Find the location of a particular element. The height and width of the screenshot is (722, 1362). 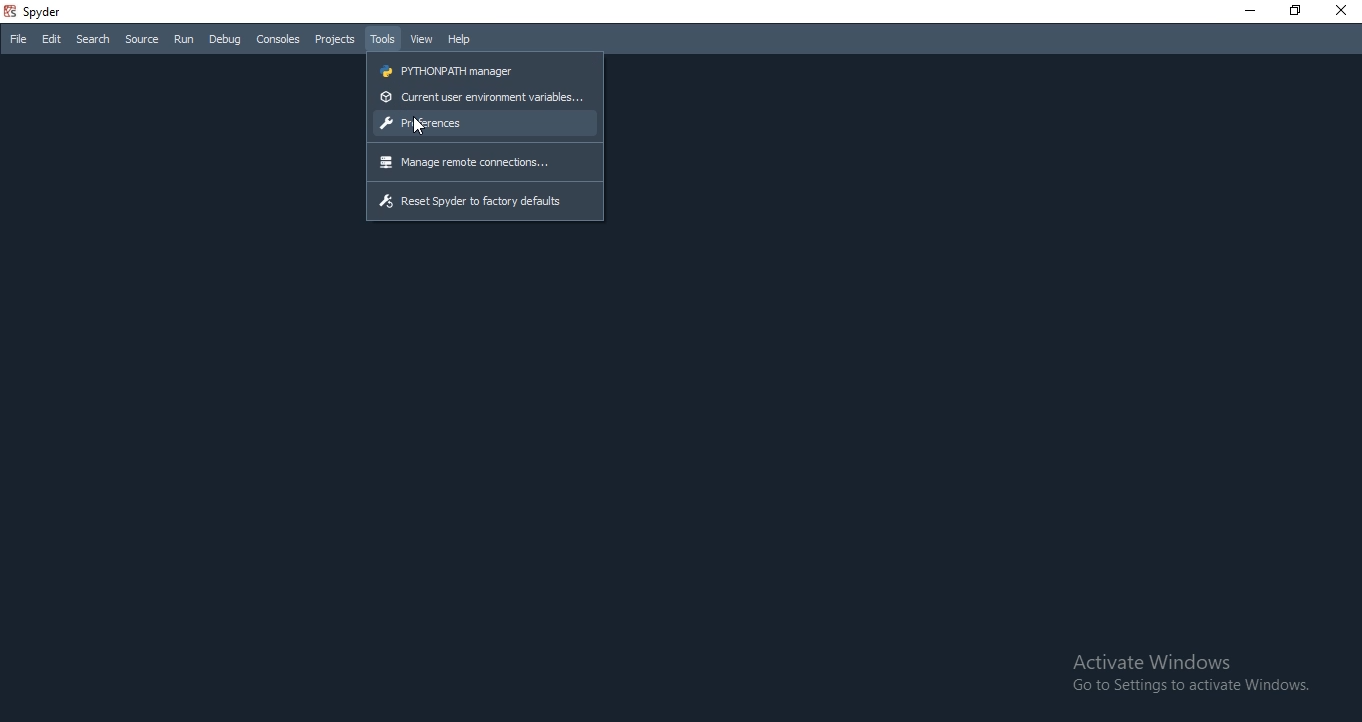

File  is located at coordinates (18, 38).